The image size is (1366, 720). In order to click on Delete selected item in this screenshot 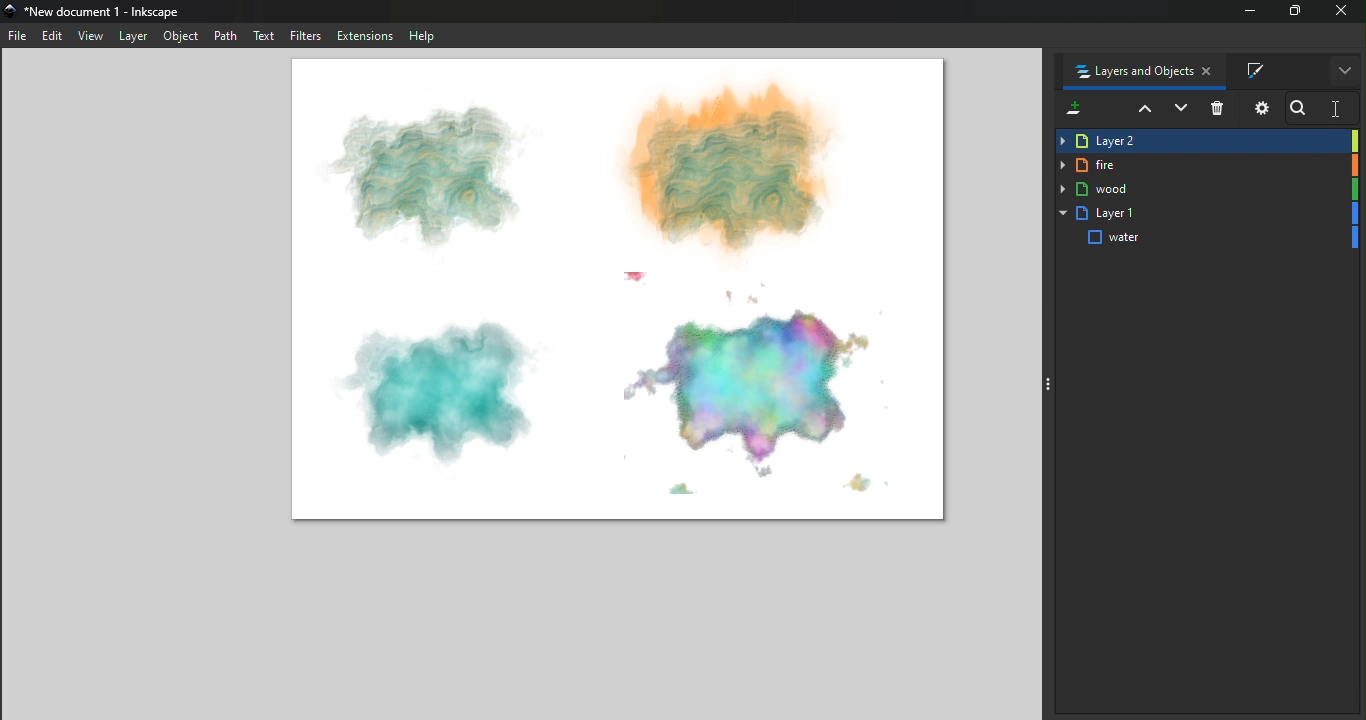, I will do `click(1219, 110)`.